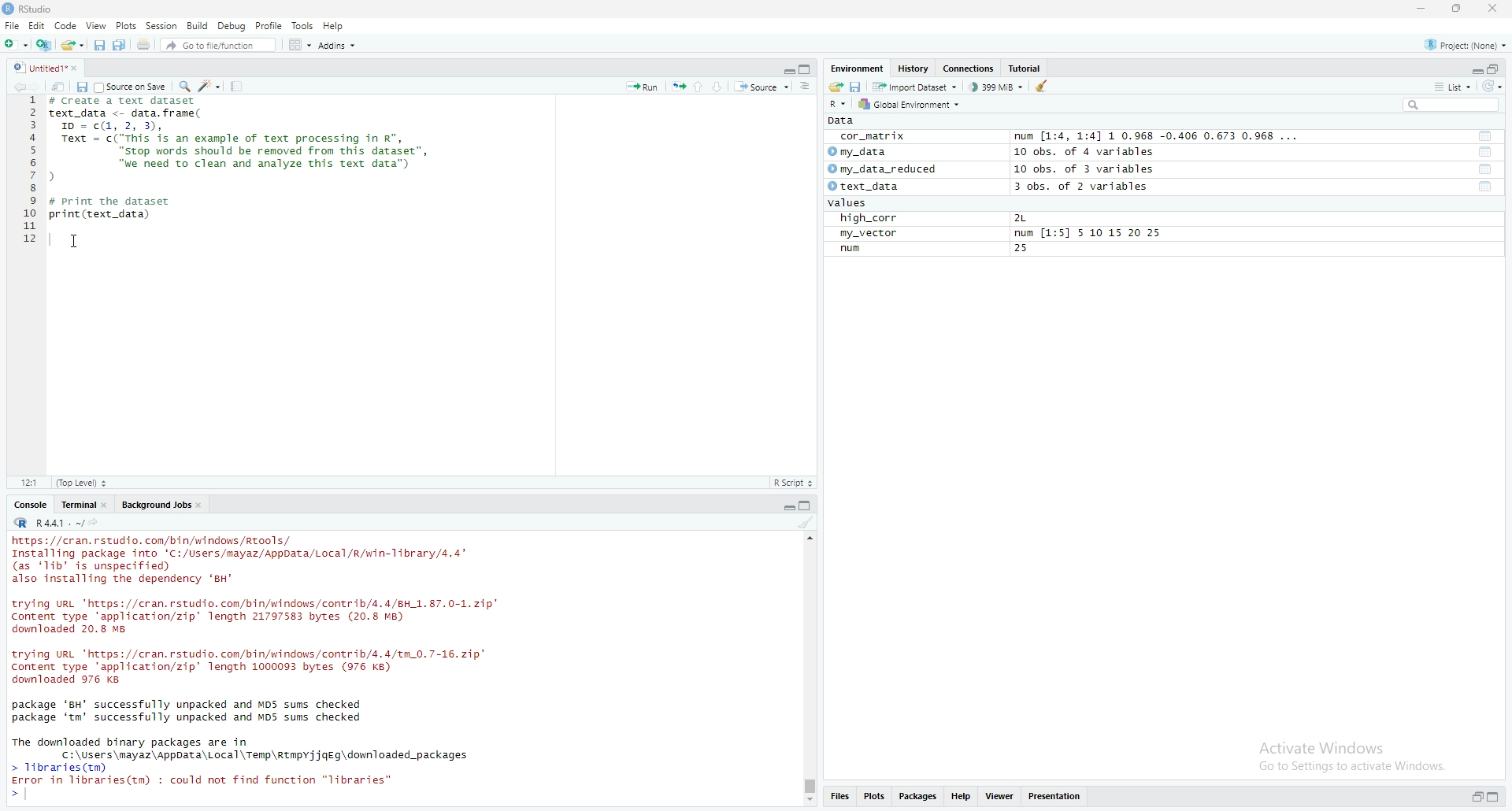  Describe the element at coordinates (1475, 796) in the screenshot. I see `expand` at that location.